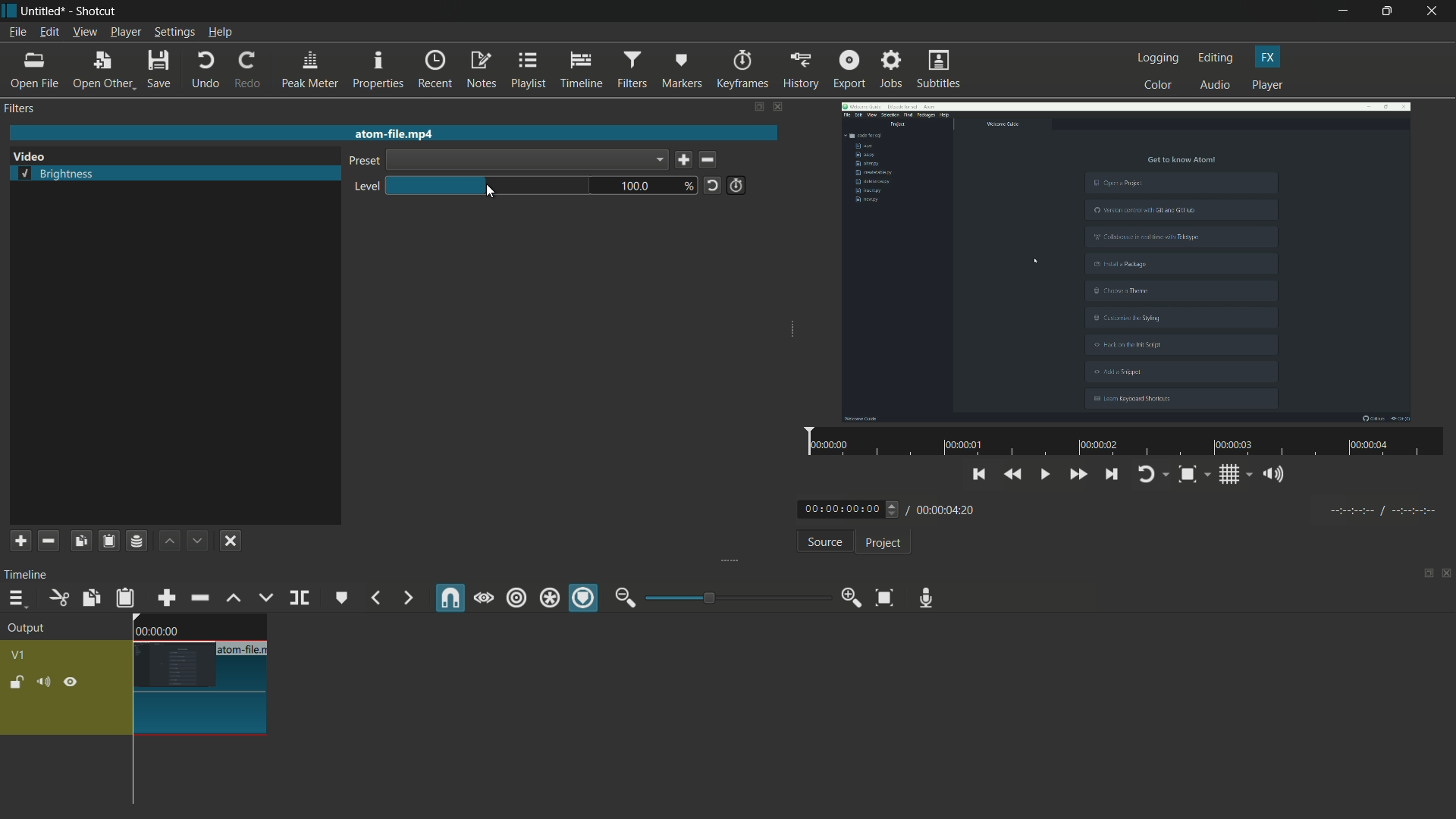 The image size is (1456, 819). What do you see at coordinates (1079, 476) in the screenshot?
I see `quickly play forward` at bounding box center [1079, 476].